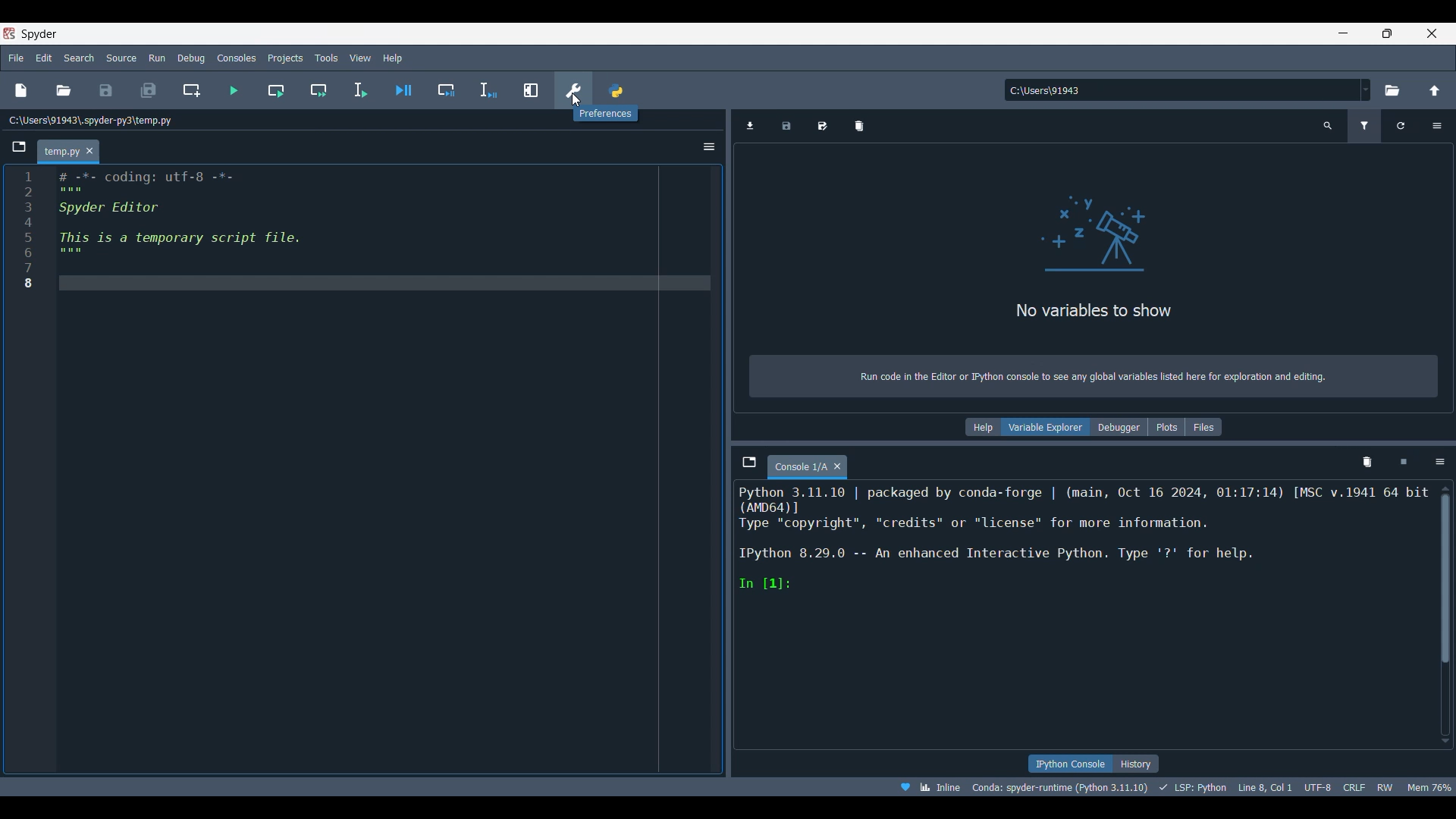 The width and height of the screenshot is (1456, 819). I want to click on memory usage, so click(1432, 786).